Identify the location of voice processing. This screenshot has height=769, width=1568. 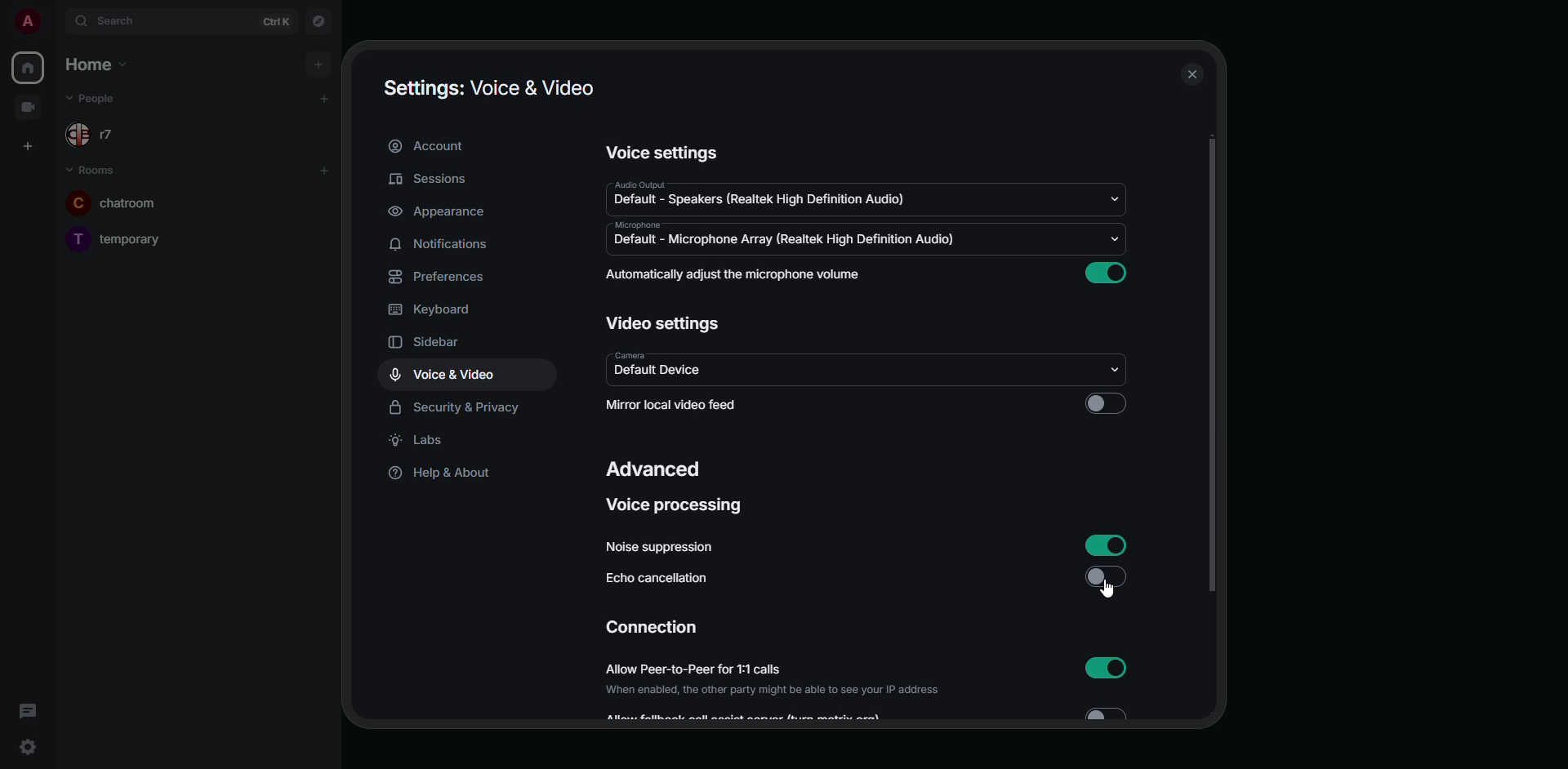
(679, 507).